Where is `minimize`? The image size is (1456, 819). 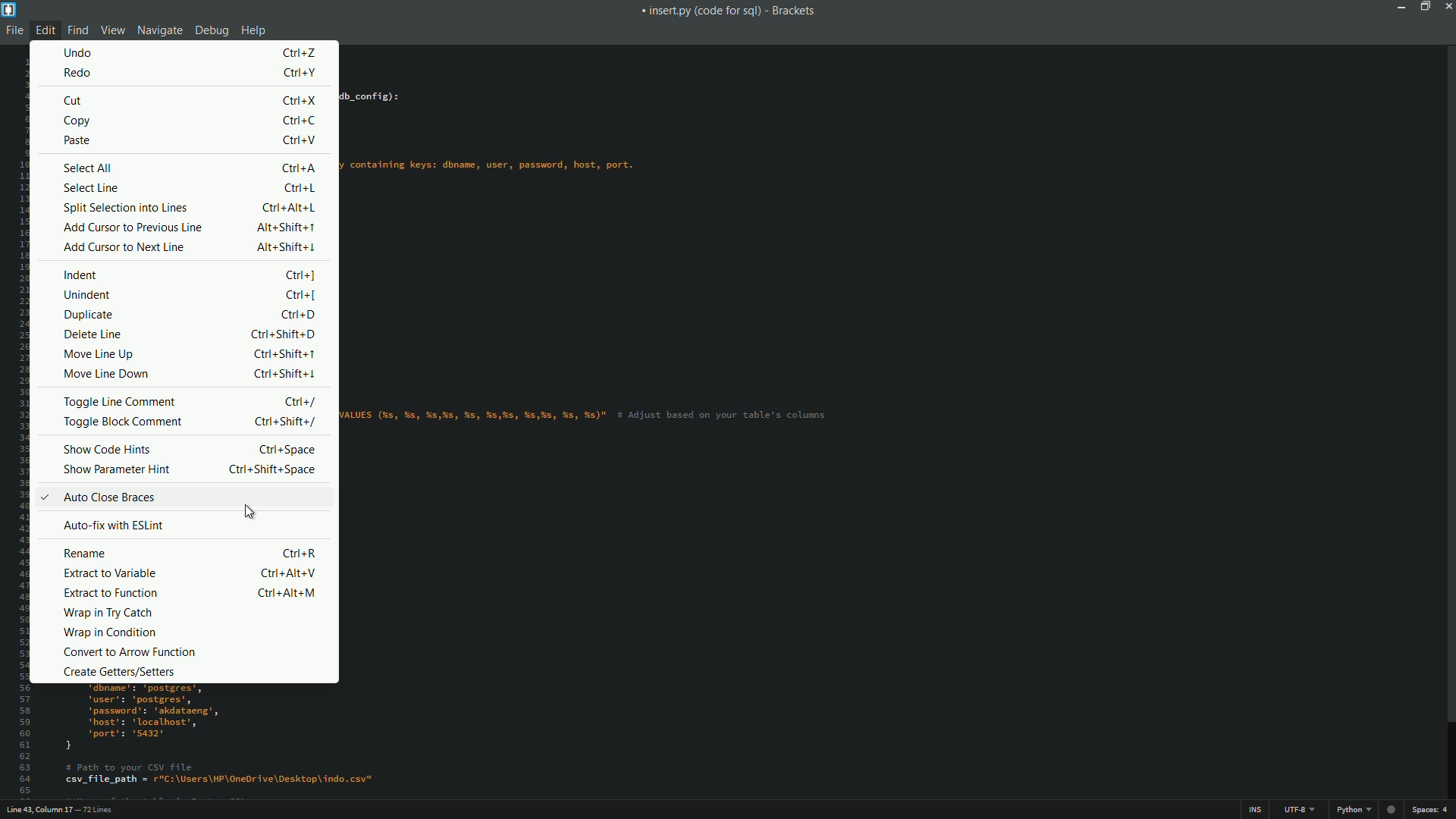 minimize is located at coordinates (1400, 6).